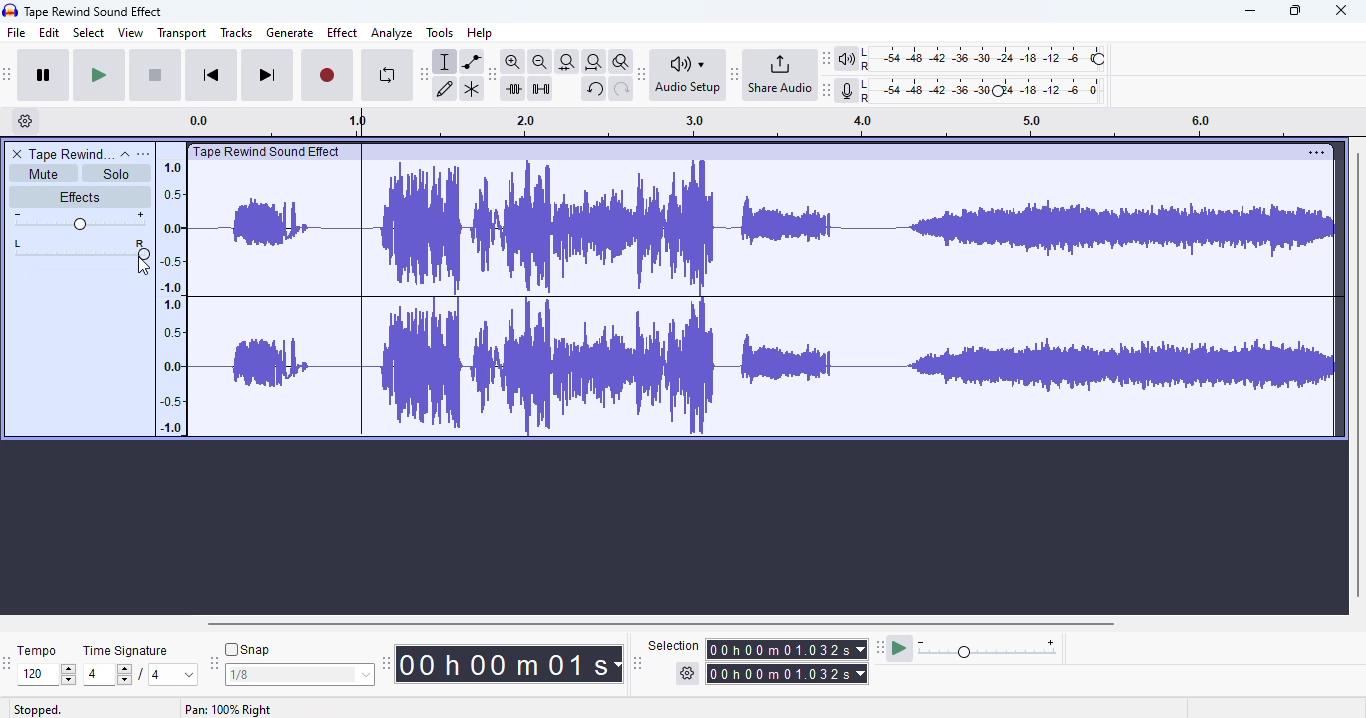 The width and height of the screenshot is (1366, 718). I want to click on tools, so click(440, 32).